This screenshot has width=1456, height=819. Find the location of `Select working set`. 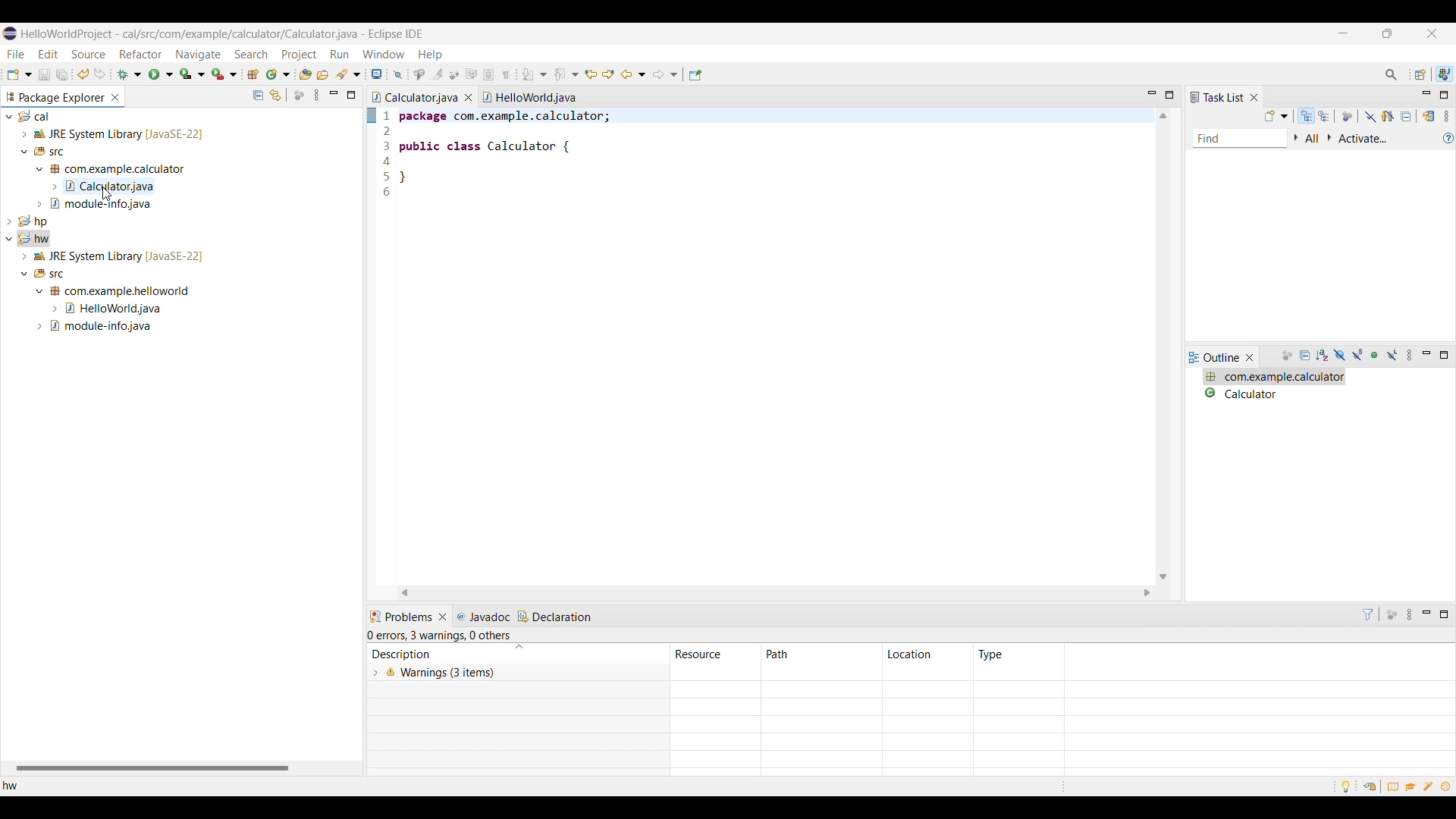

Select working set is located at coordinates (1296, 138).